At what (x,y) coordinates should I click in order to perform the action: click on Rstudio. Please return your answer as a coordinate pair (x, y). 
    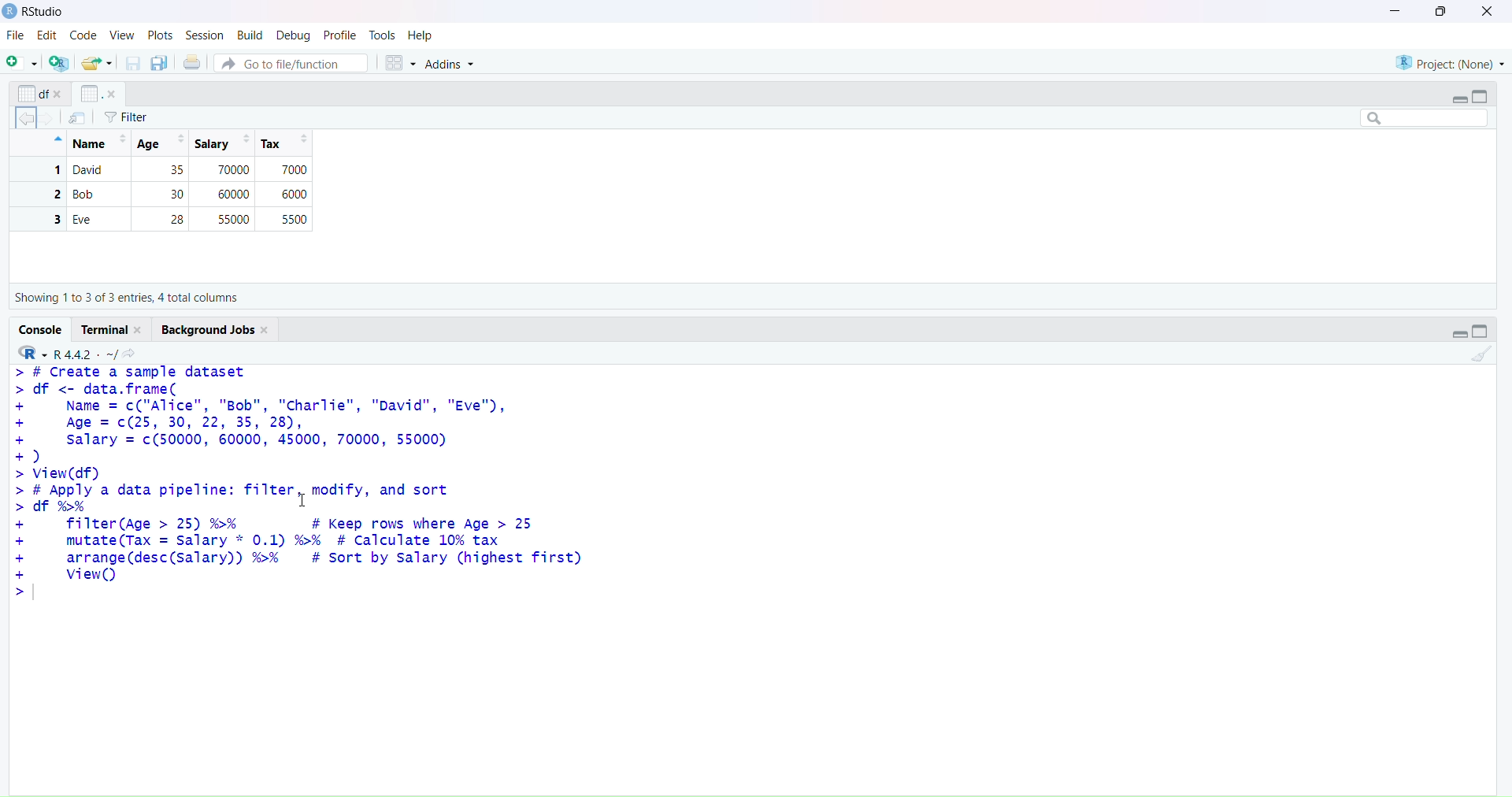
    Looking at the image, I should click on (36, 12).